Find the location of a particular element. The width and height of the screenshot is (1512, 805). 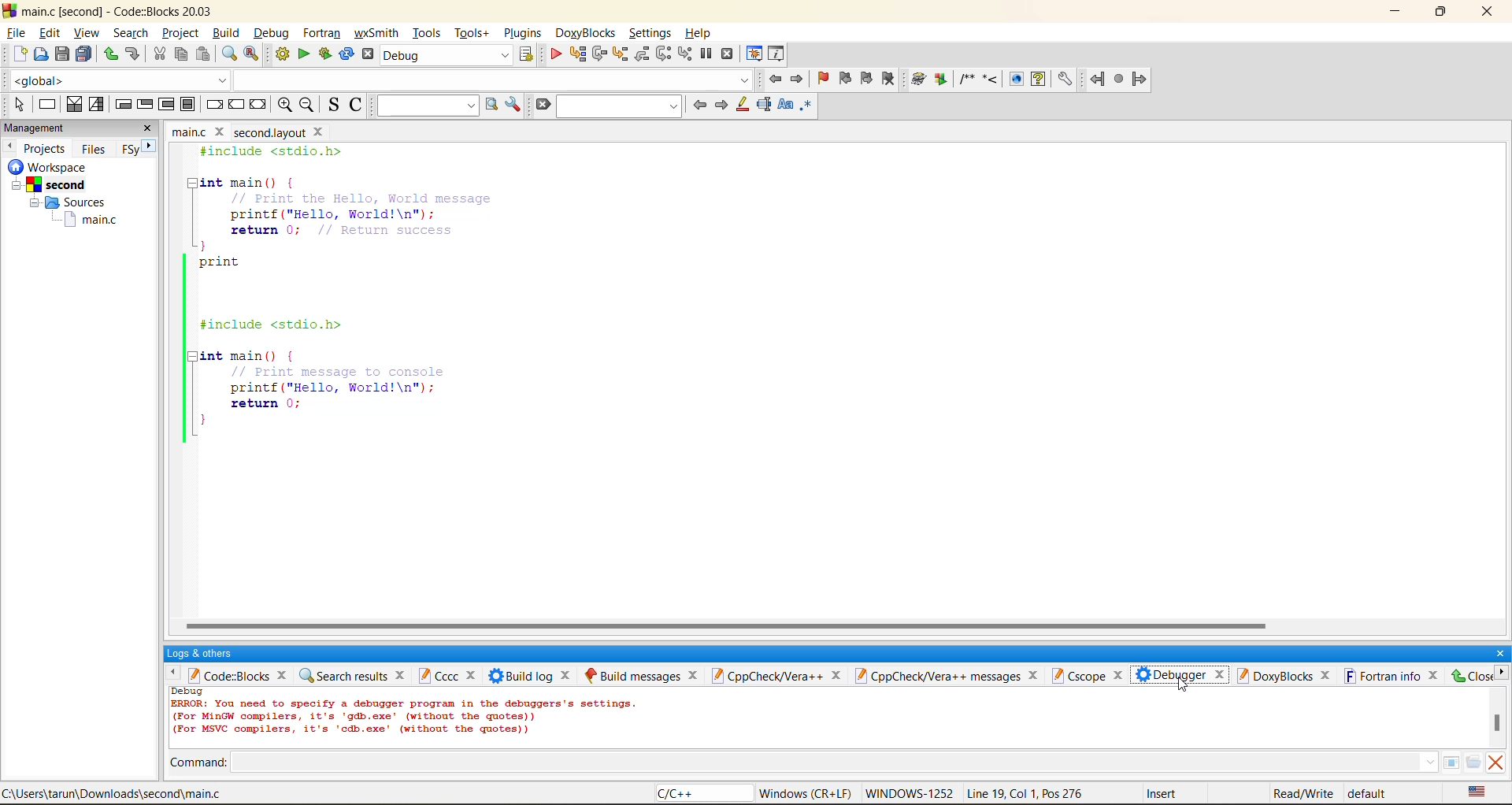

step out is located at coordinates (641, 55).